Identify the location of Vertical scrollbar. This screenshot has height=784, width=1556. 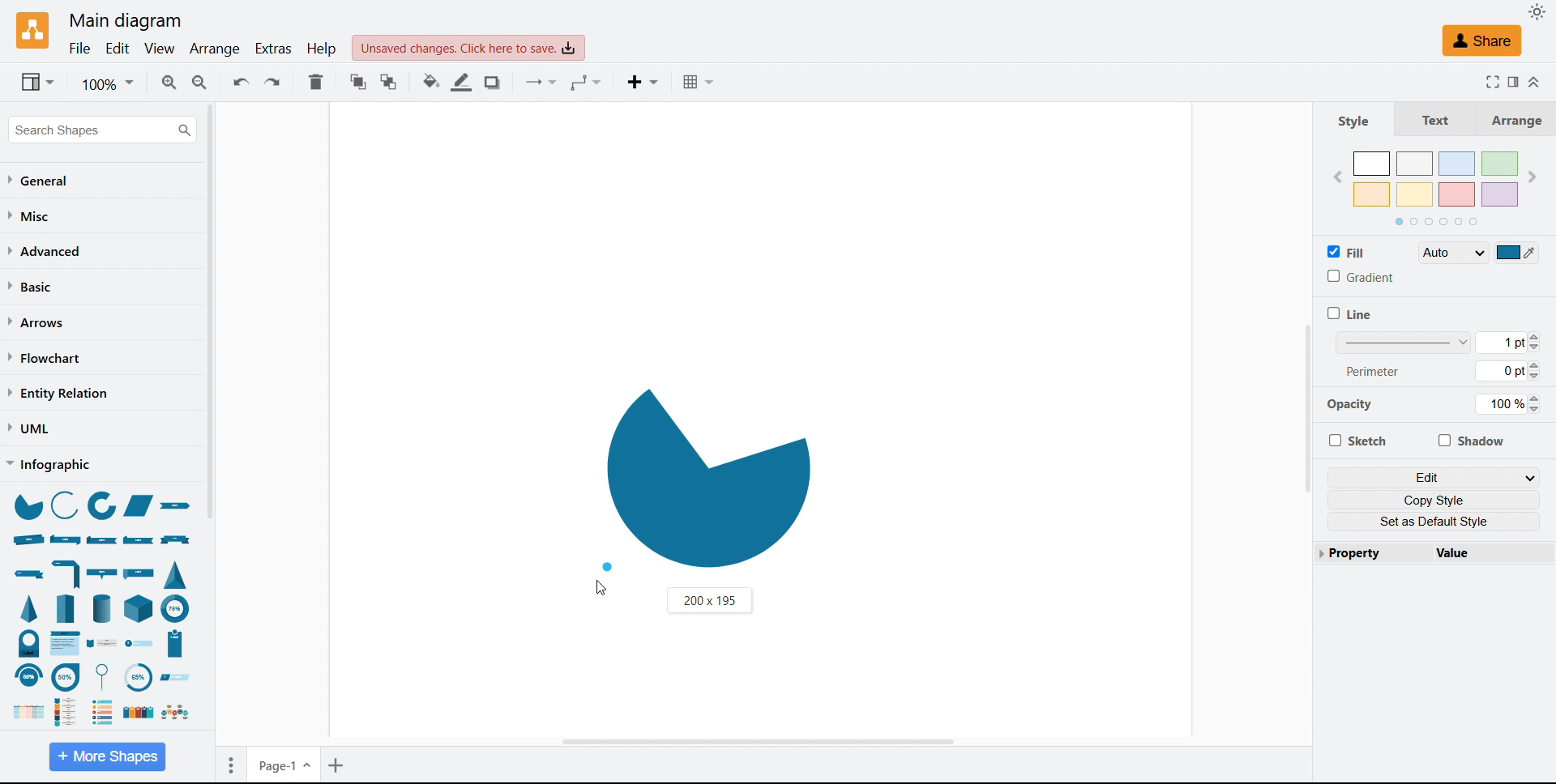
(1307, 408).